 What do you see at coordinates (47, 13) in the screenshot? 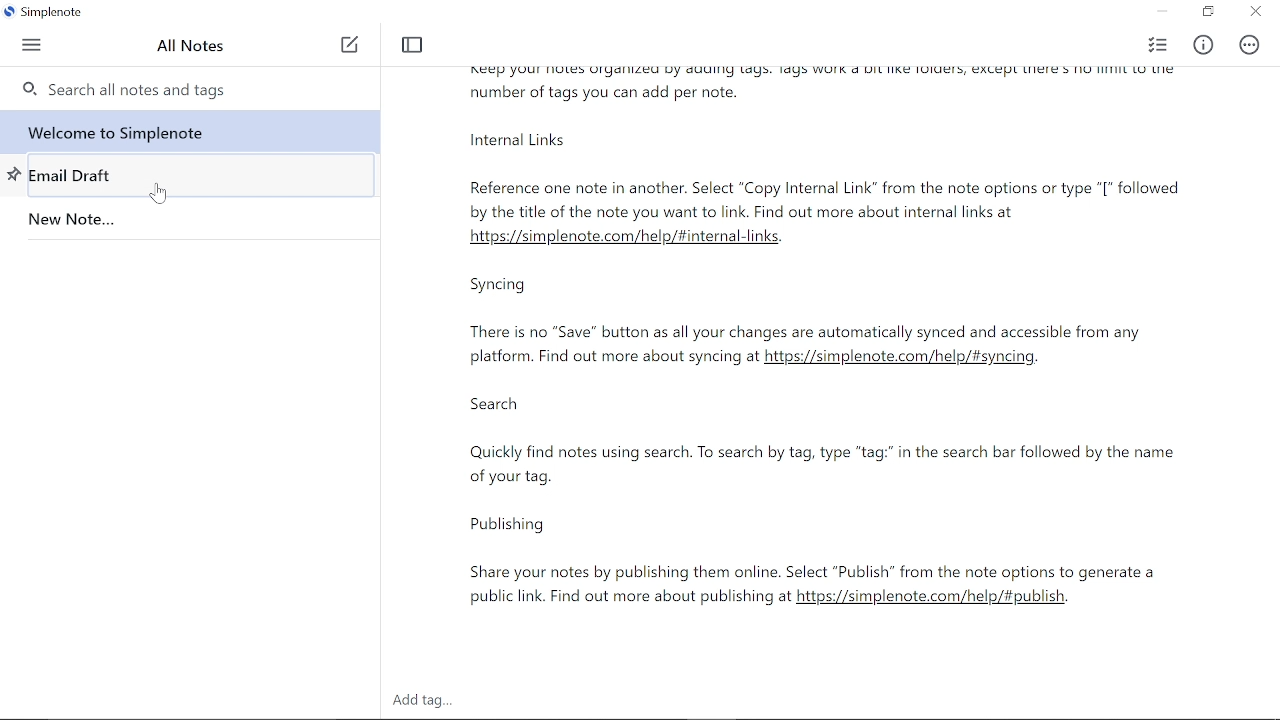
I see `Current window` at bounding box center [47, 13].